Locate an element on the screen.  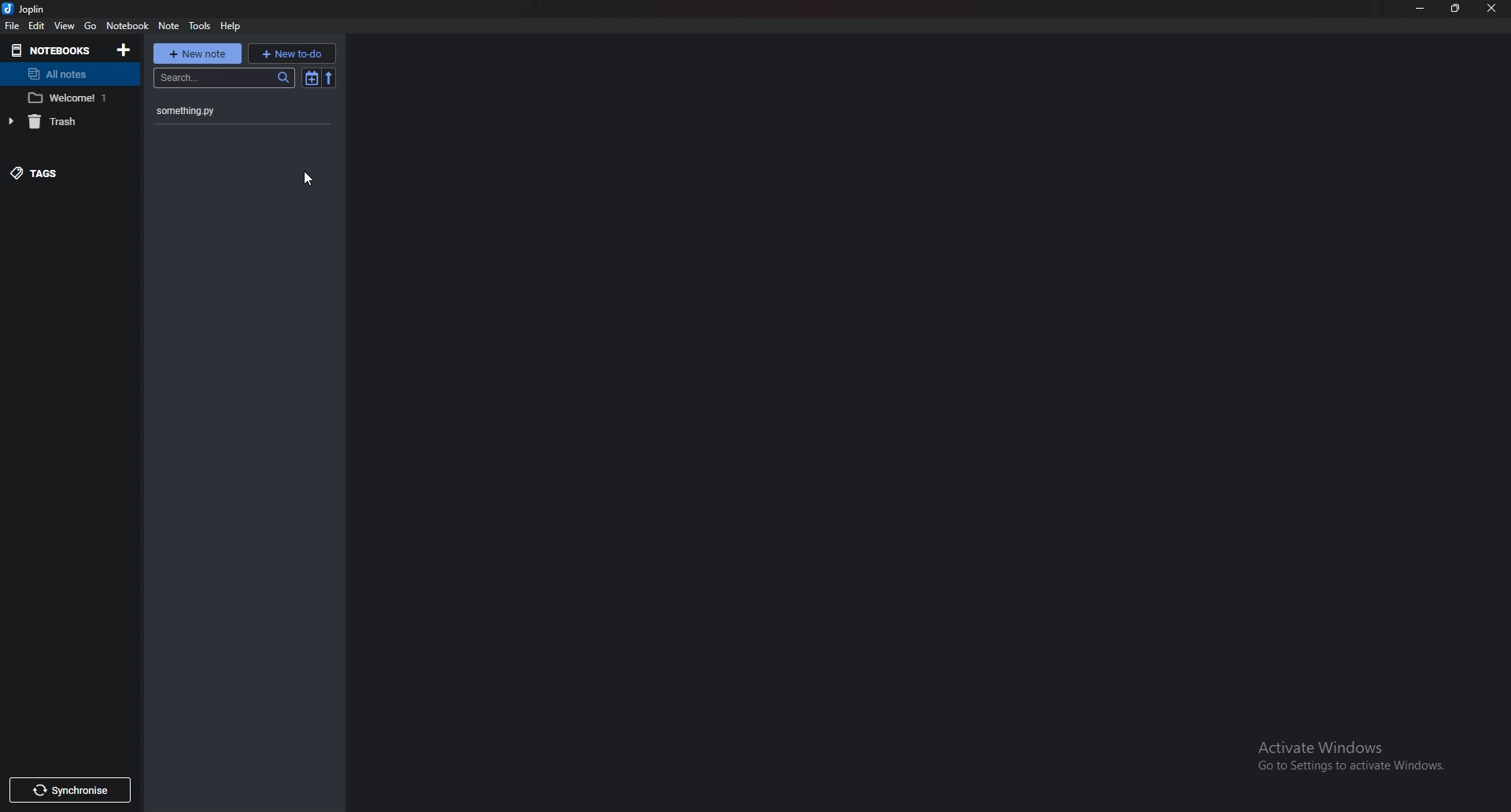
activate windows is located at coordinates (1360, 754).